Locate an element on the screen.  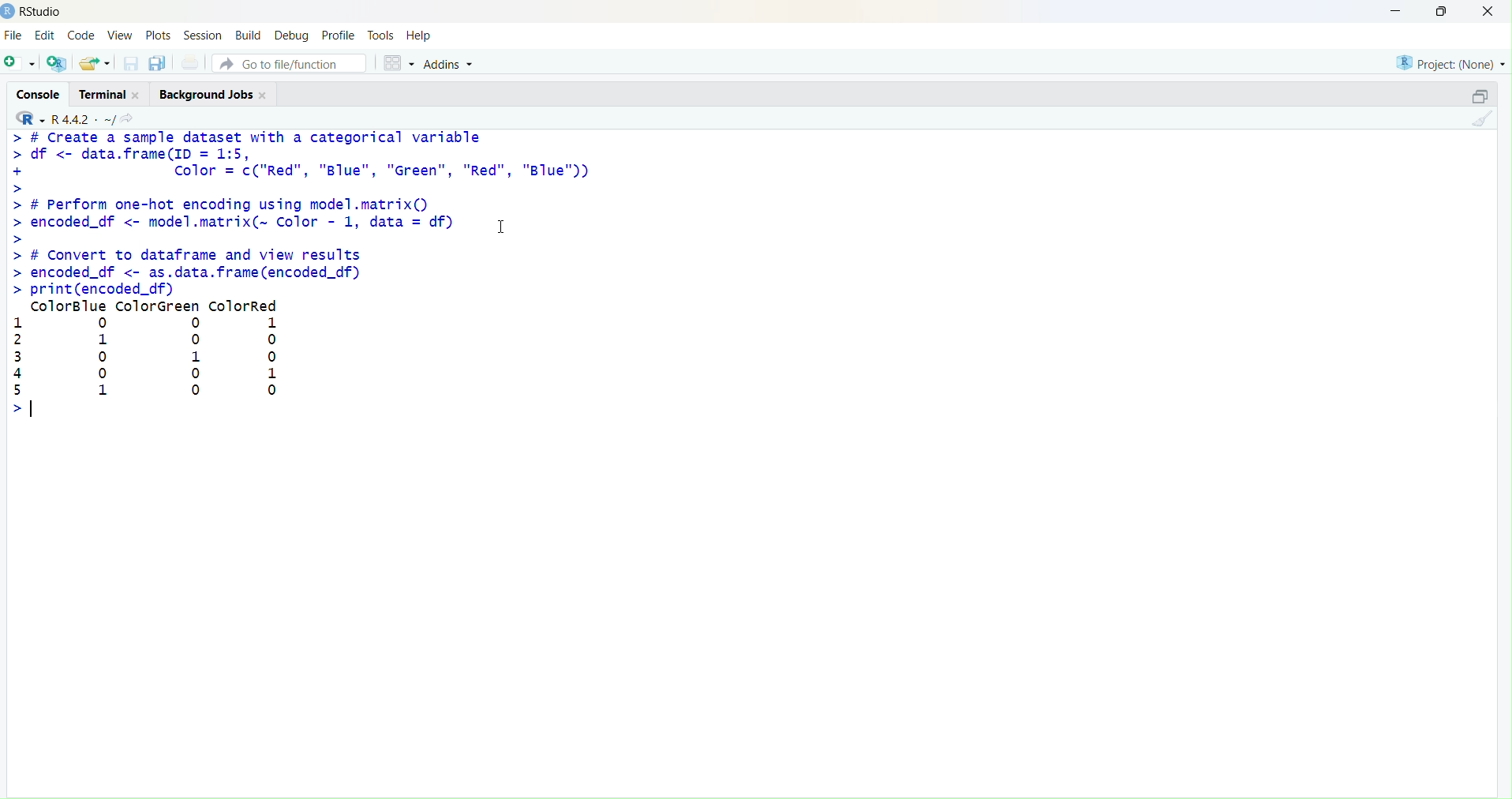
close is located at coordinates (1488, 10).